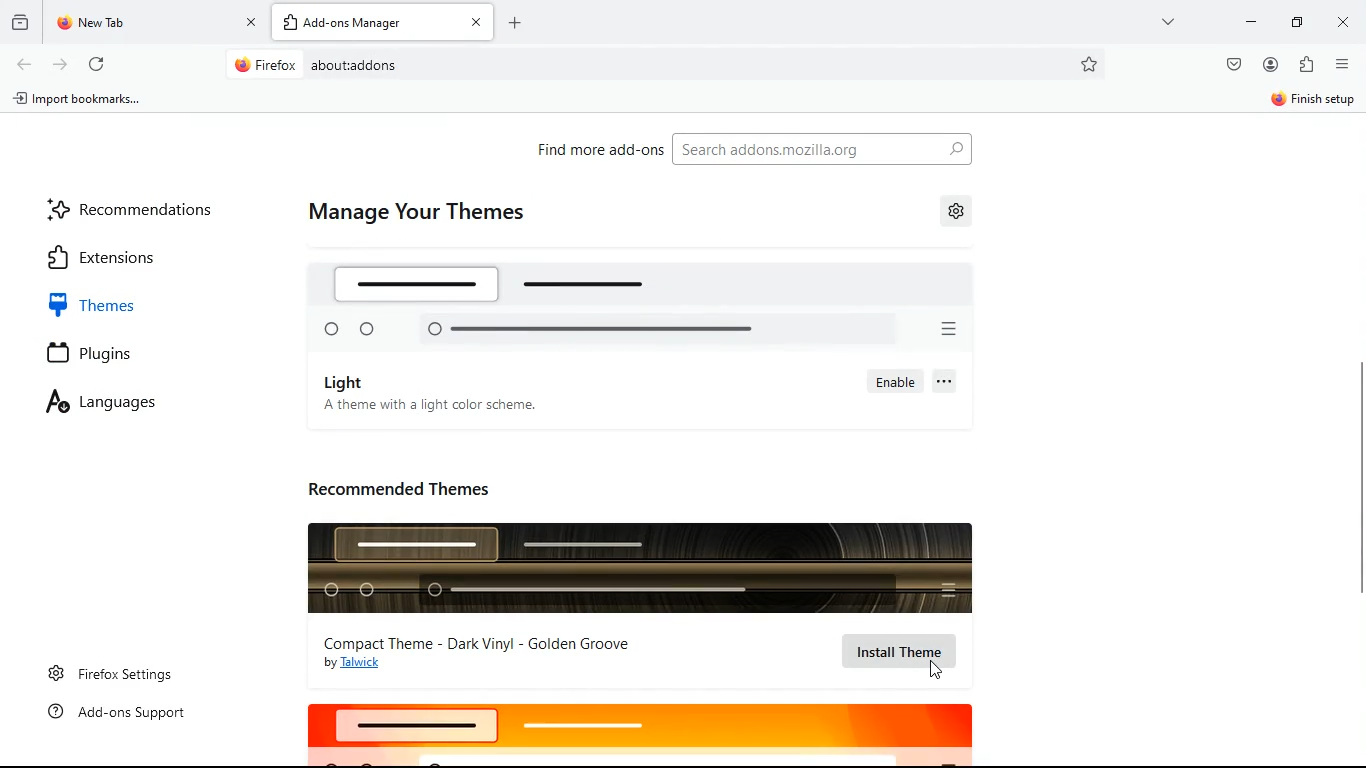 The image size is (1366, 768). What do you see at coordinates (948, 382) in the screenshot?
I see `more` at bounding box center [948, 382].